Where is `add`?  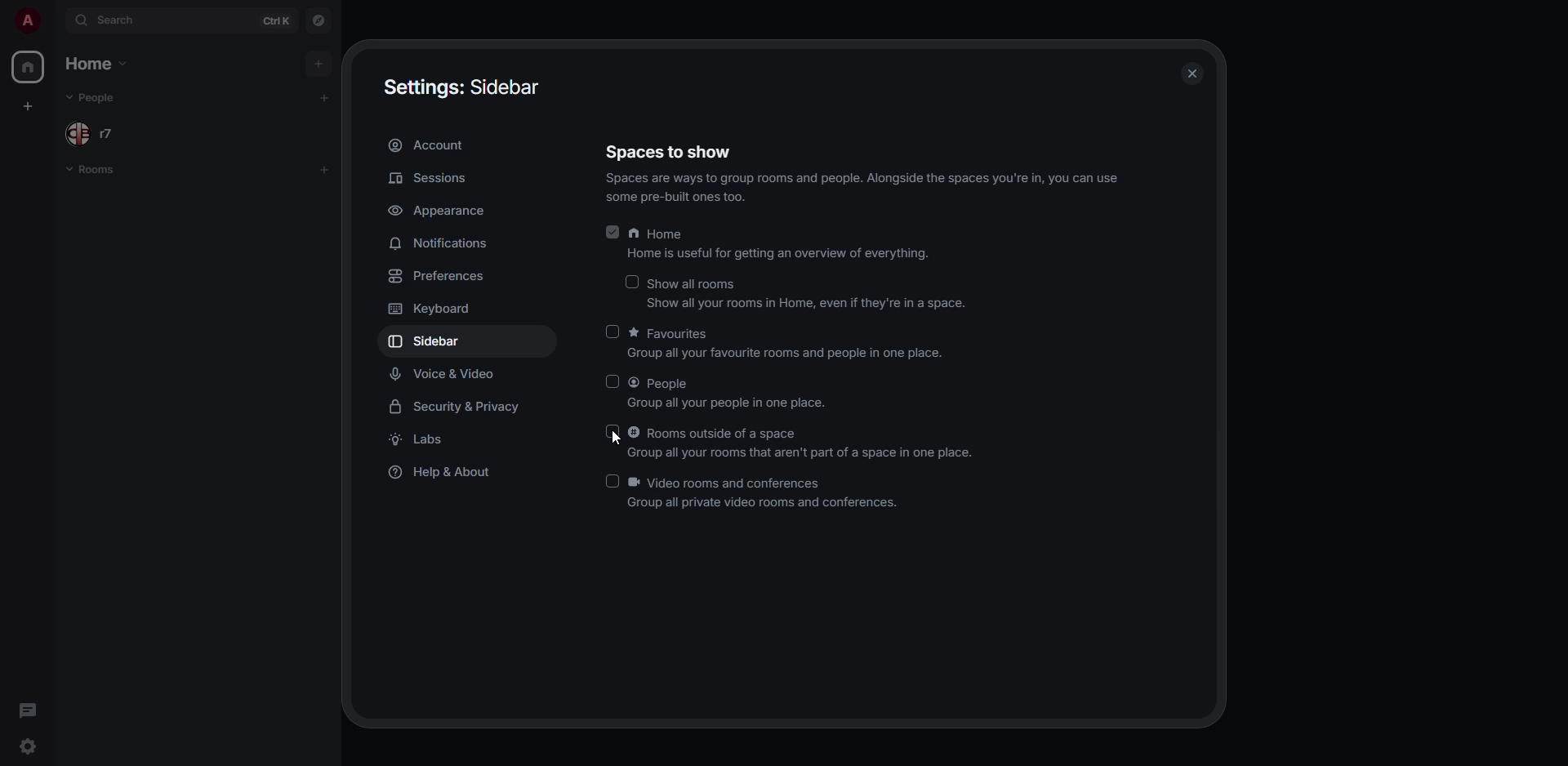
add is located at coordinates (327, 96).